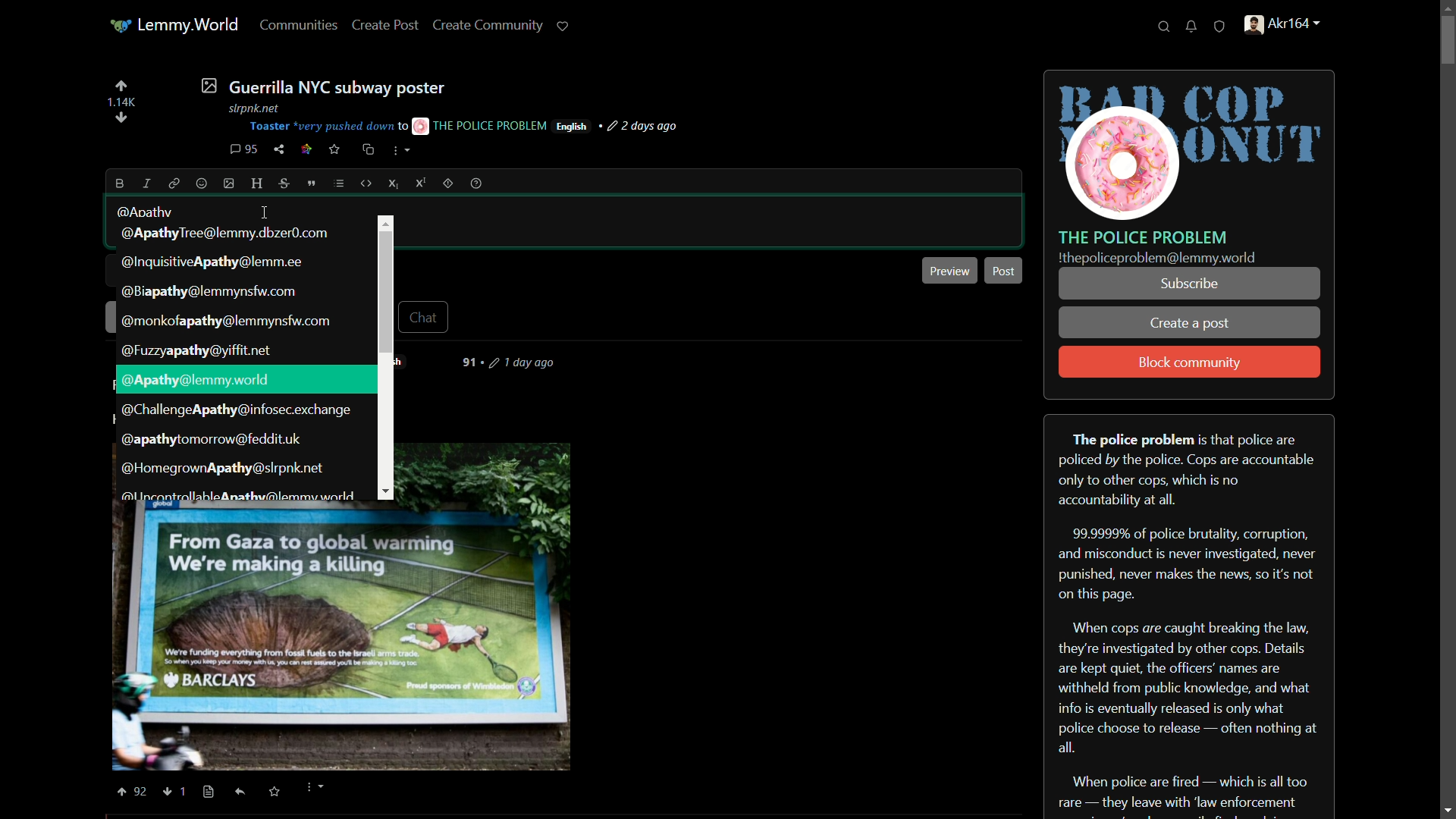 The height and width of the screenshot is (819, 1456). I want to click on link, so click(171, 183).